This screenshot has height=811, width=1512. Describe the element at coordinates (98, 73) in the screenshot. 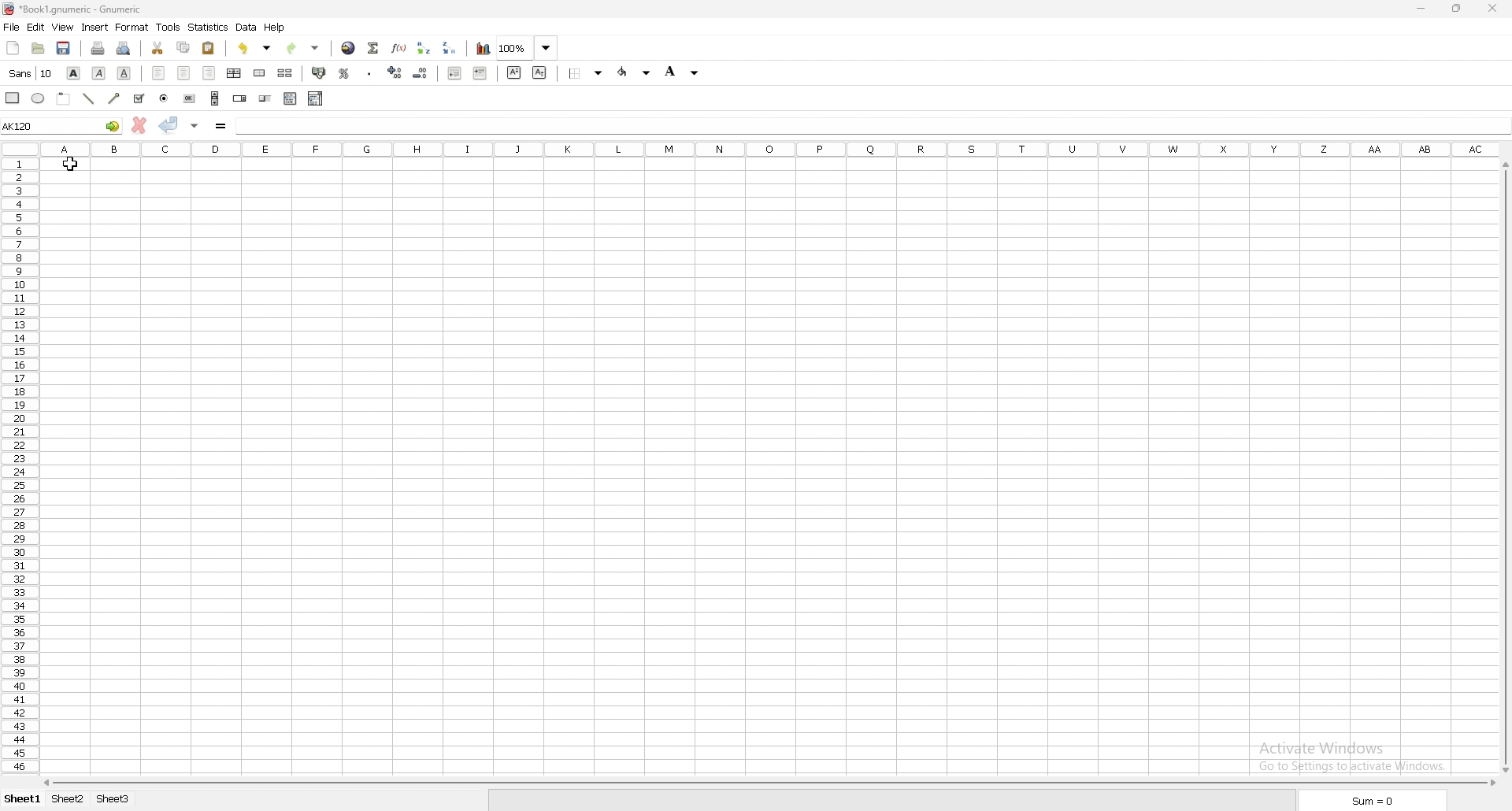

I see `italic` at that location.